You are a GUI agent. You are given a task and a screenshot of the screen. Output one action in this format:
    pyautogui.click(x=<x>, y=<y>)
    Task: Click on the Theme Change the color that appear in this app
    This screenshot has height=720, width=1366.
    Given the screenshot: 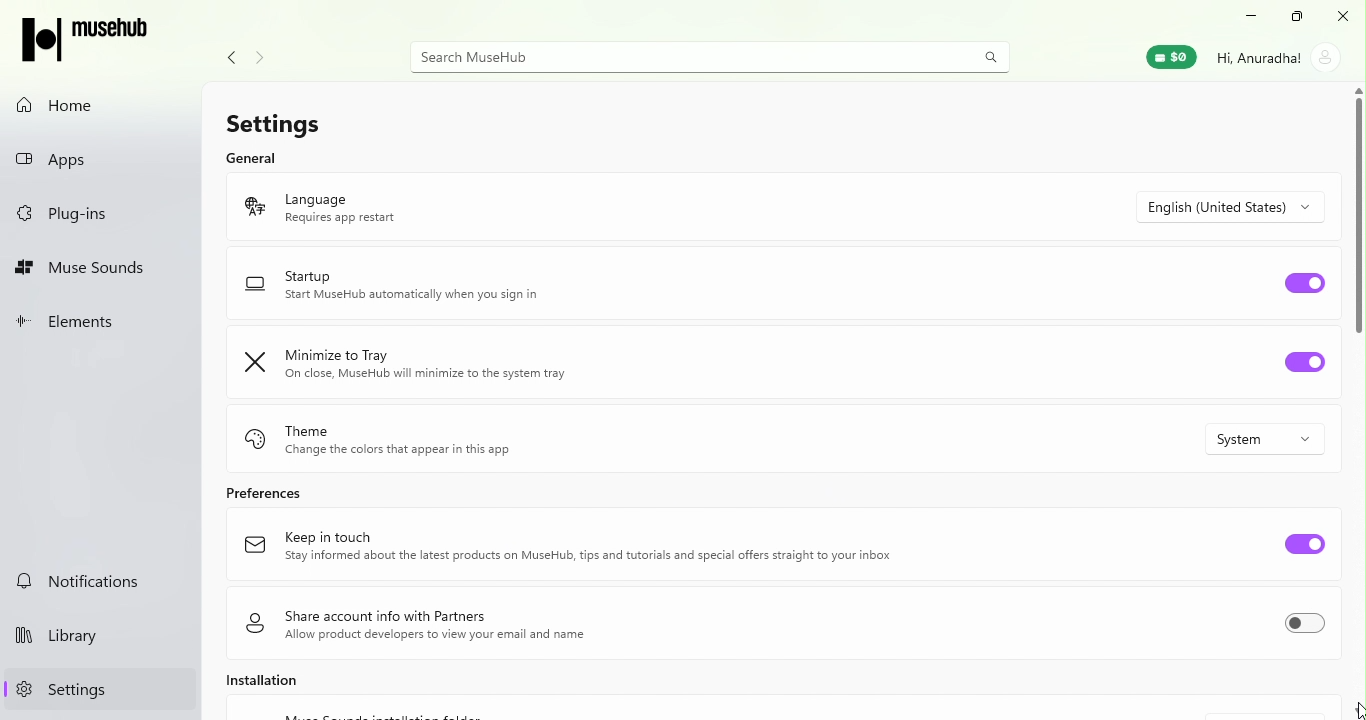 What is the action you would take?
    pyautogui.click(x=396, y=441)
    